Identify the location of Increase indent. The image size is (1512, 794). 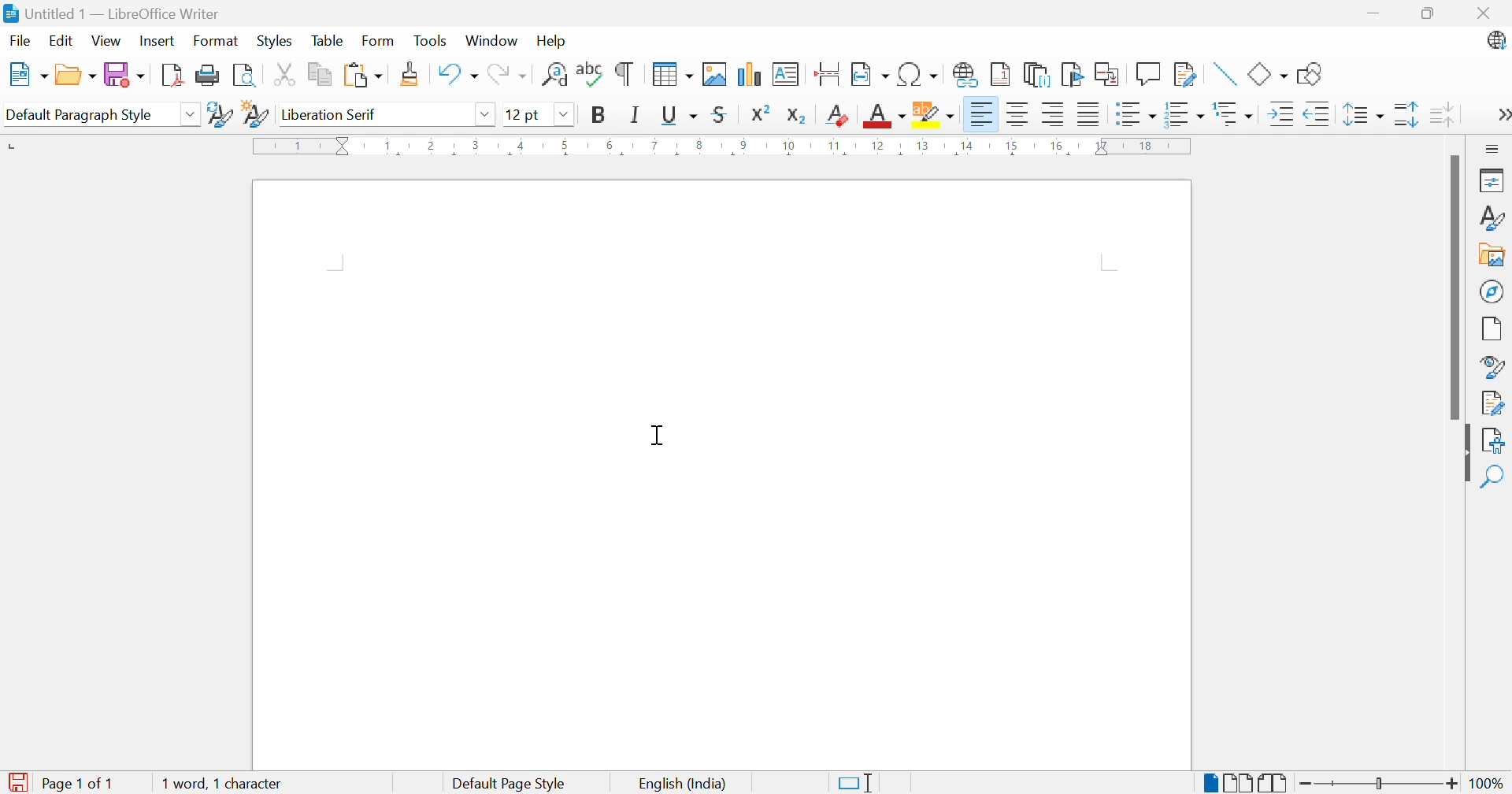
(1280, 115).